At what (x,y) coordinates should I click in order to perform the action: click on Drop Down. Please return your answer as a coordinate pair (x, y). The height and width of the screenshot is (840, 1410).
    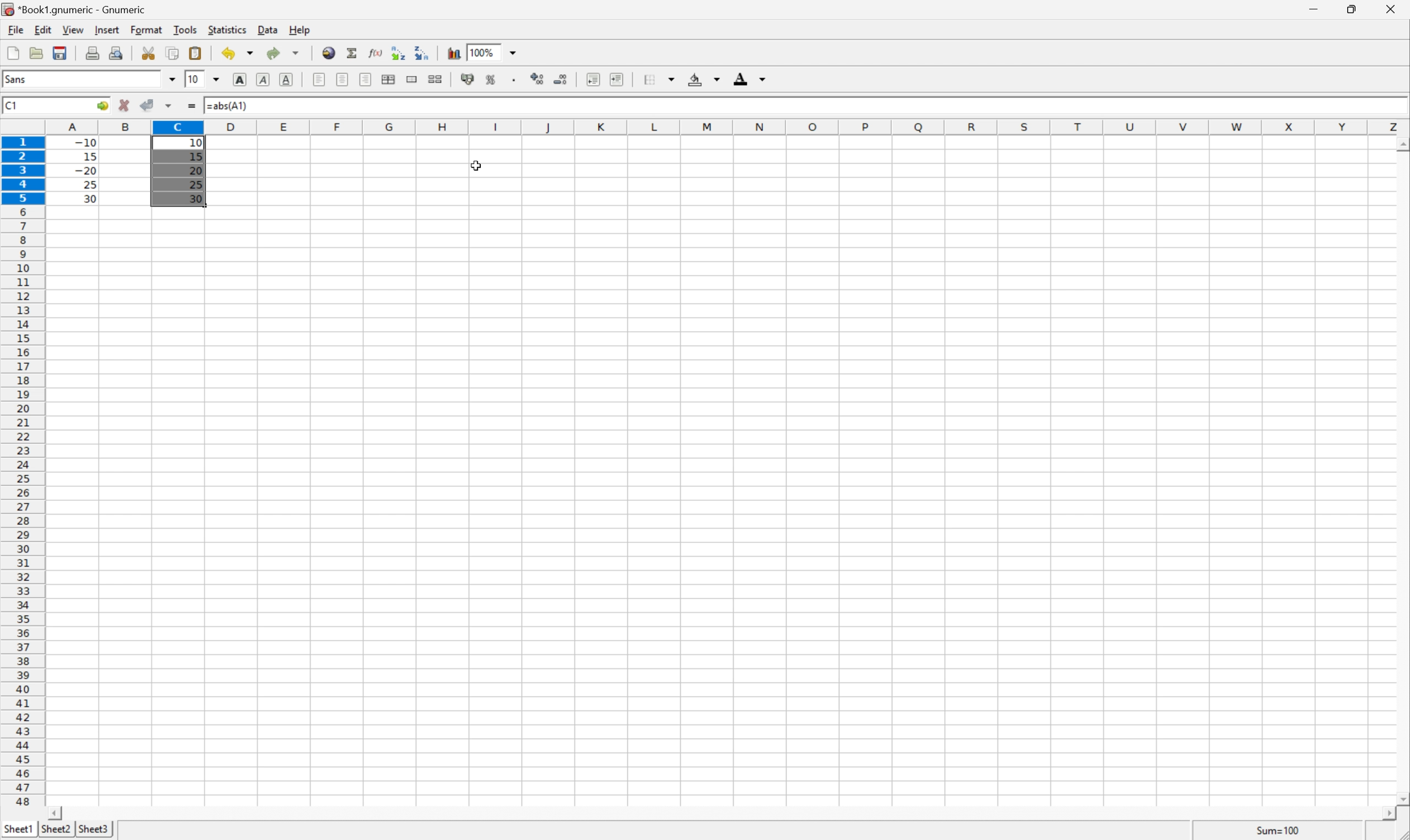
    Looking at the image, I should click on (516, 52).